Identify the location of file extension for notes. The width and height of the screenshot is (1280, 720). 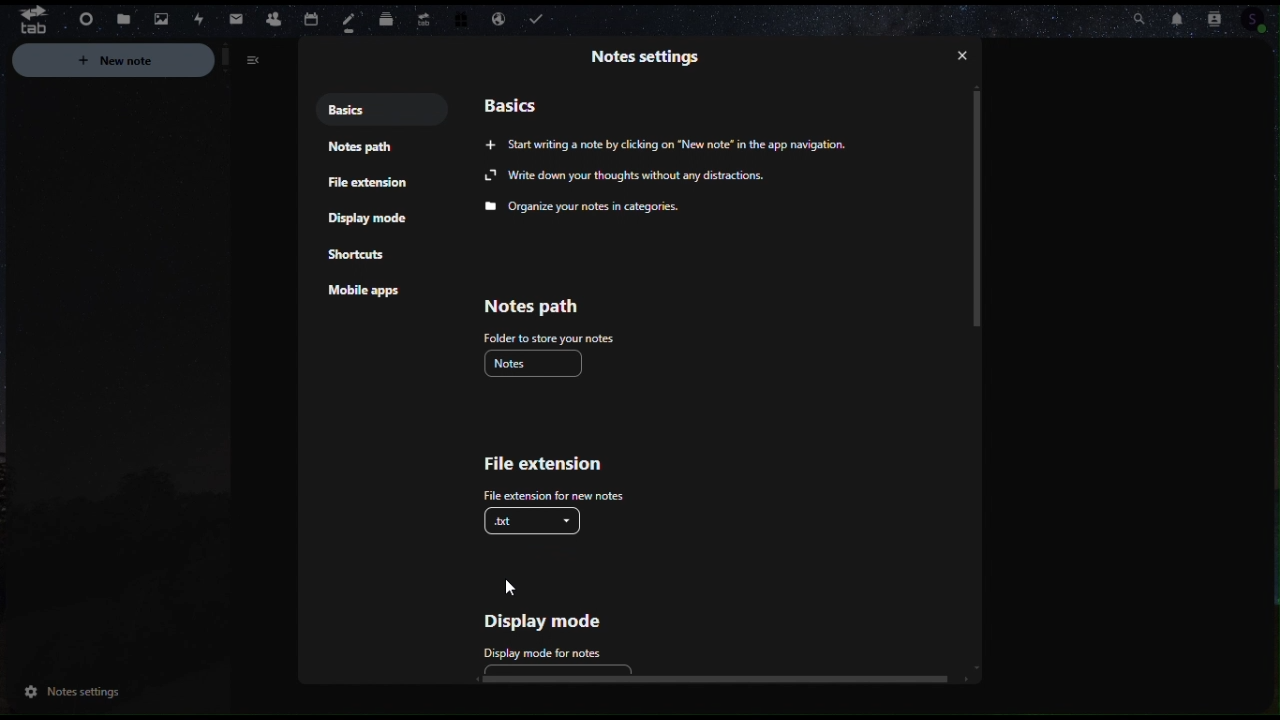
(547, 493).